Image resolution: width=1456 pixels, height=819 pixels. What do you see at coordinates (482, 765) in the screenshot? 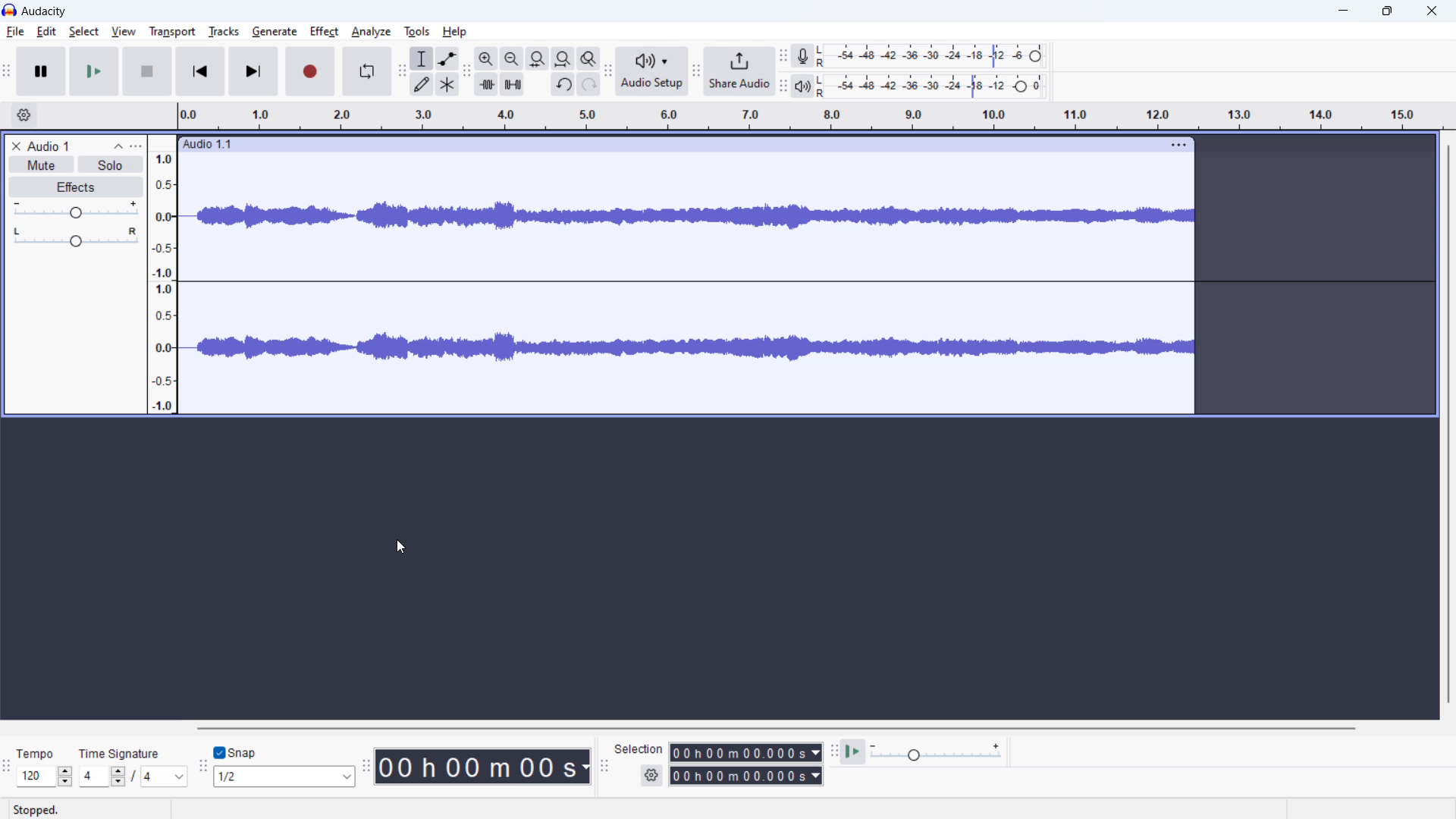
I see `time stamp` at bounding box center [482, 765].